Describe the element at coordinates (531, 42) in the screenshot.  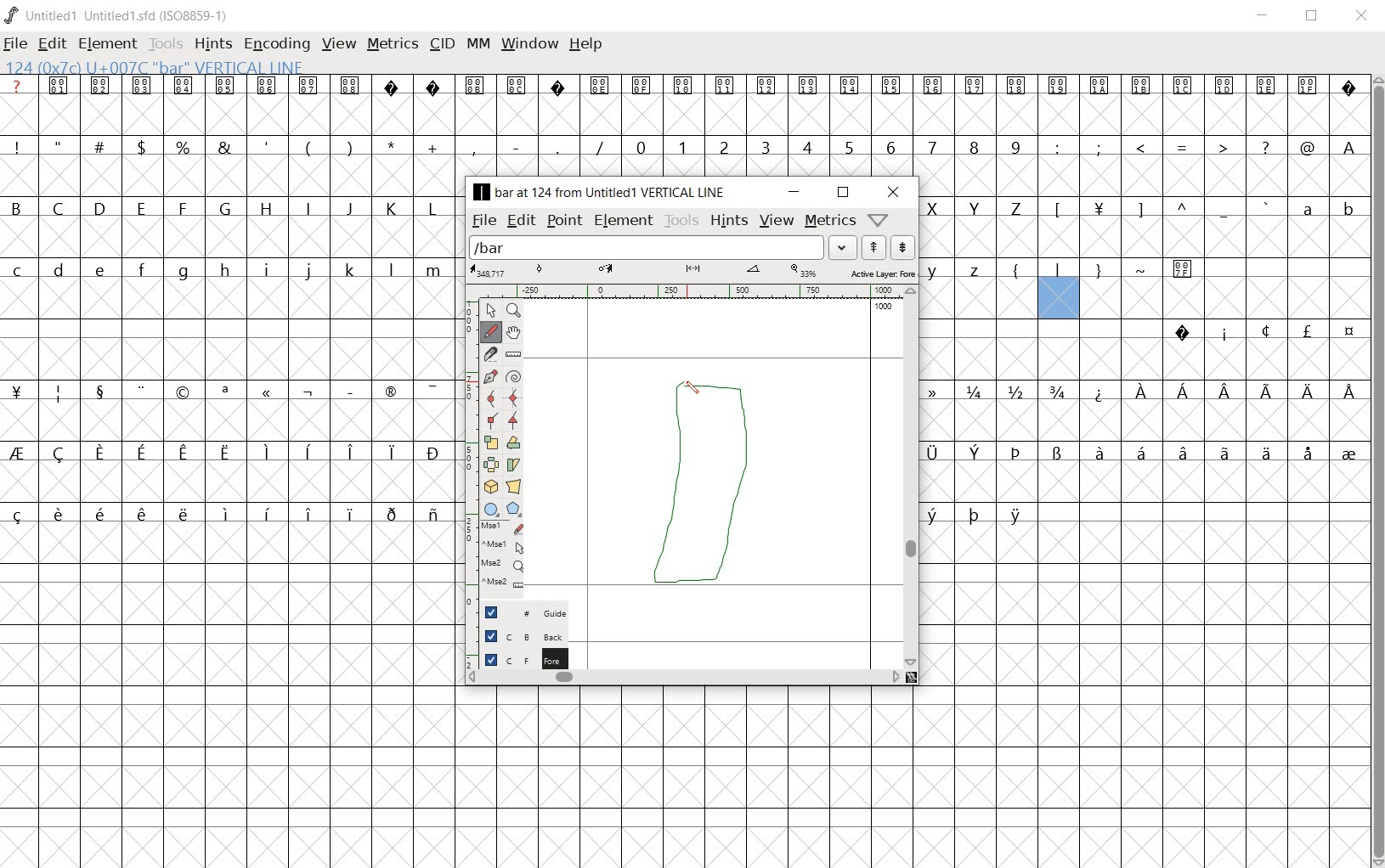
I see `window` at that location.